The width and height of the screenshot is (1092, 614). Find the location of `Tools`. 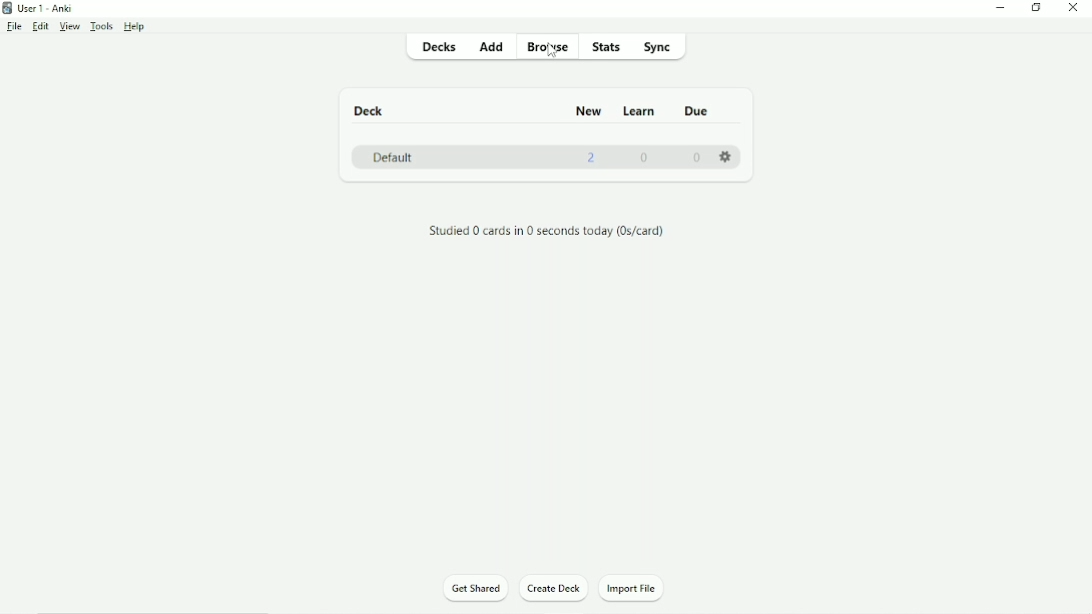

Tools is located at coordinates (102, 26).